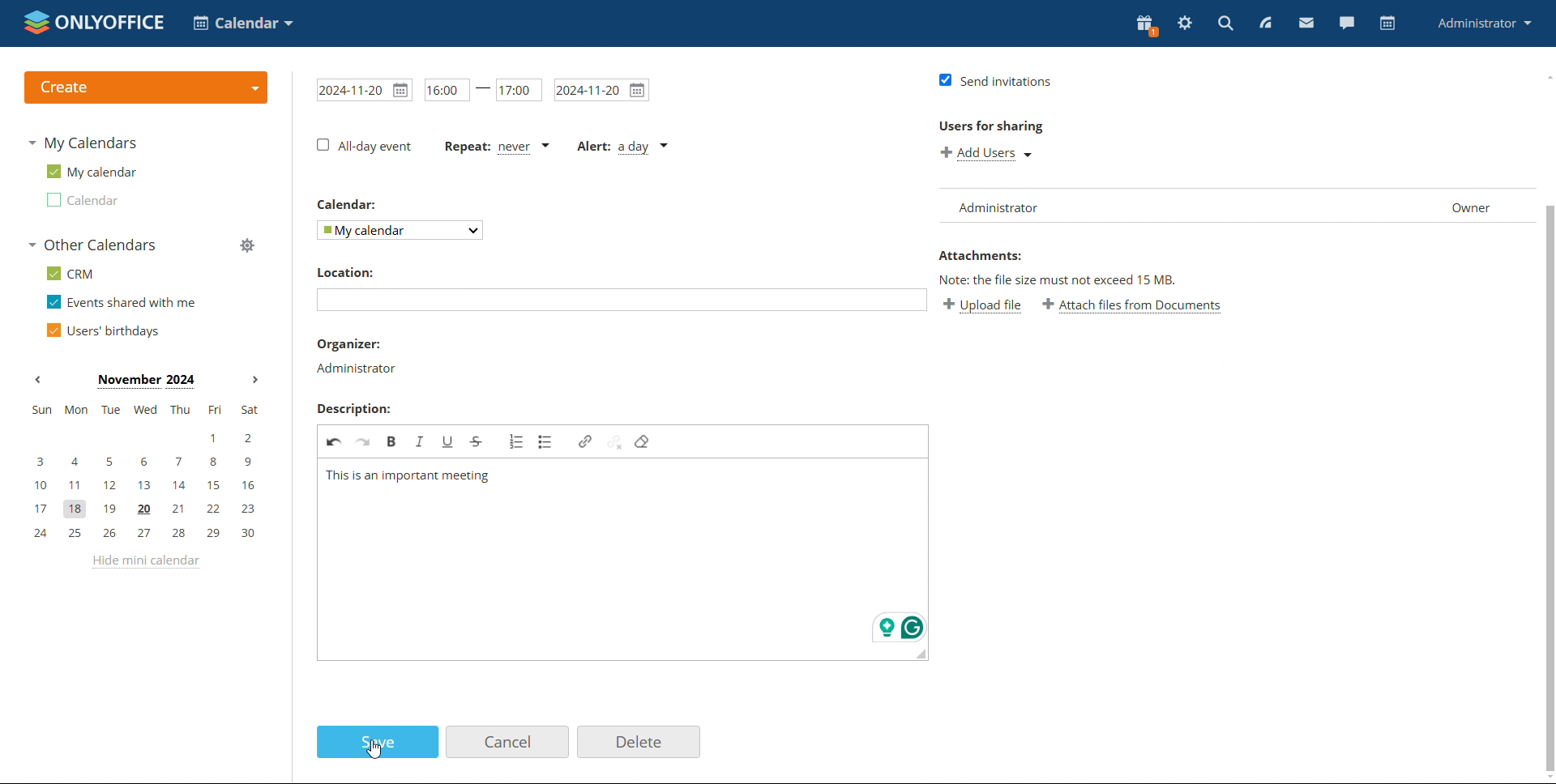  Describe the element at coordinates (242, 23) in the screenshot. I see `select application` at that location.